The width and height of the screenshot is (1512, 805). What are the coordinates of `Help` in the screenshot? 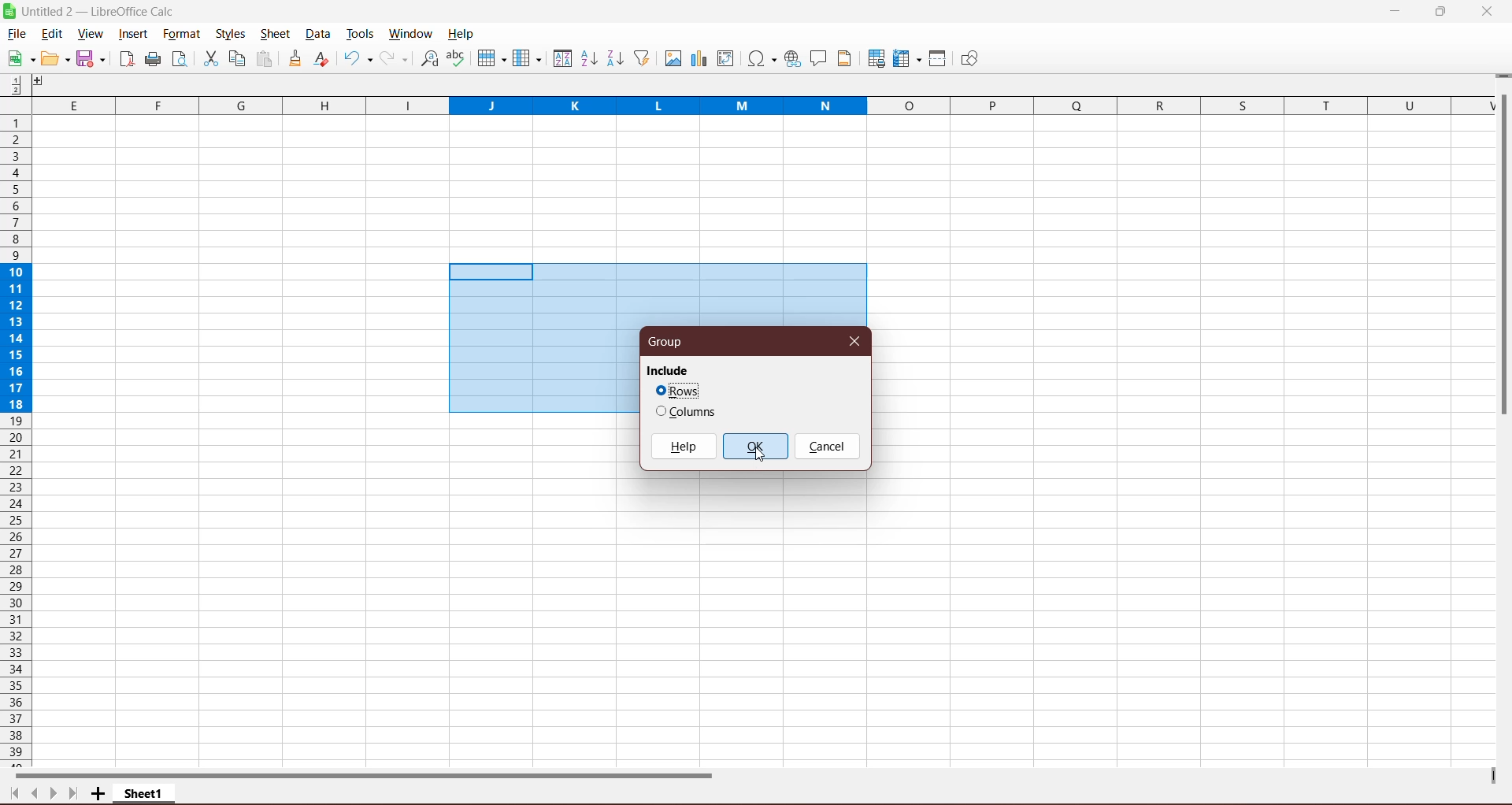 It's located at (461, 35).